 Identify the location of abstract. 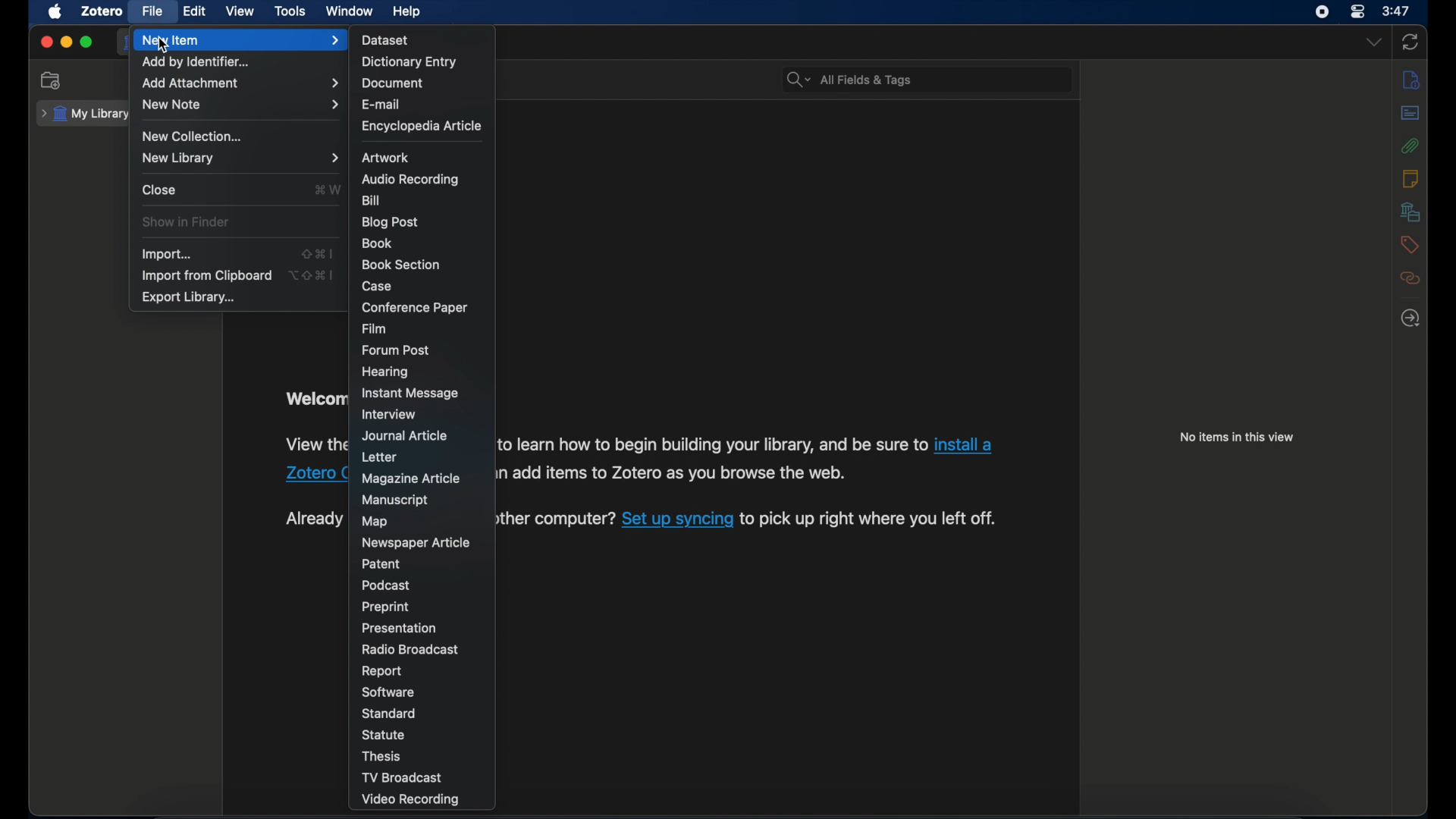
(1411, 113).